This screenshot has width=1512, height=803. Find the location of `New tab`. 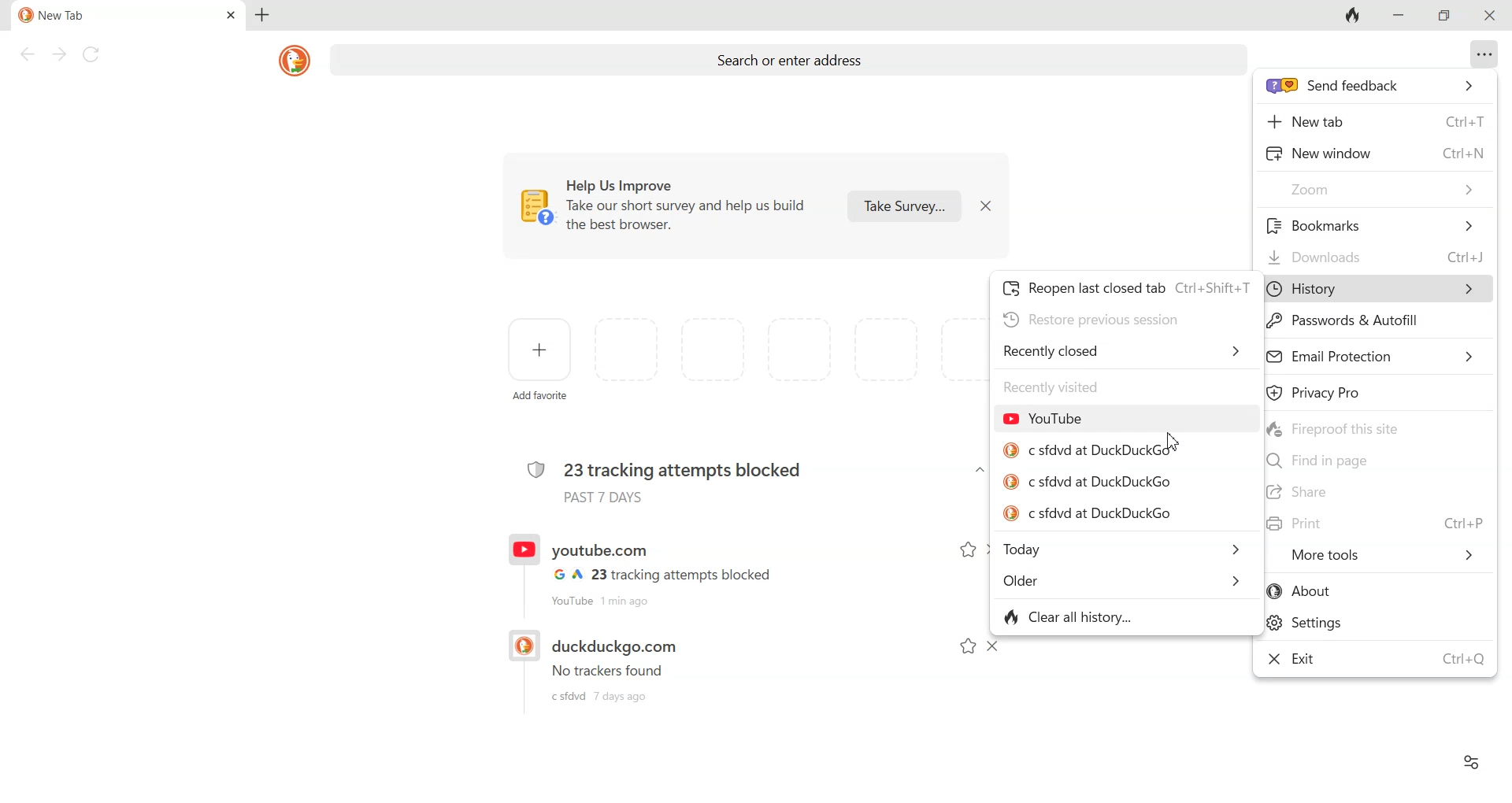

New tab is located at coordinates (1375, 122).